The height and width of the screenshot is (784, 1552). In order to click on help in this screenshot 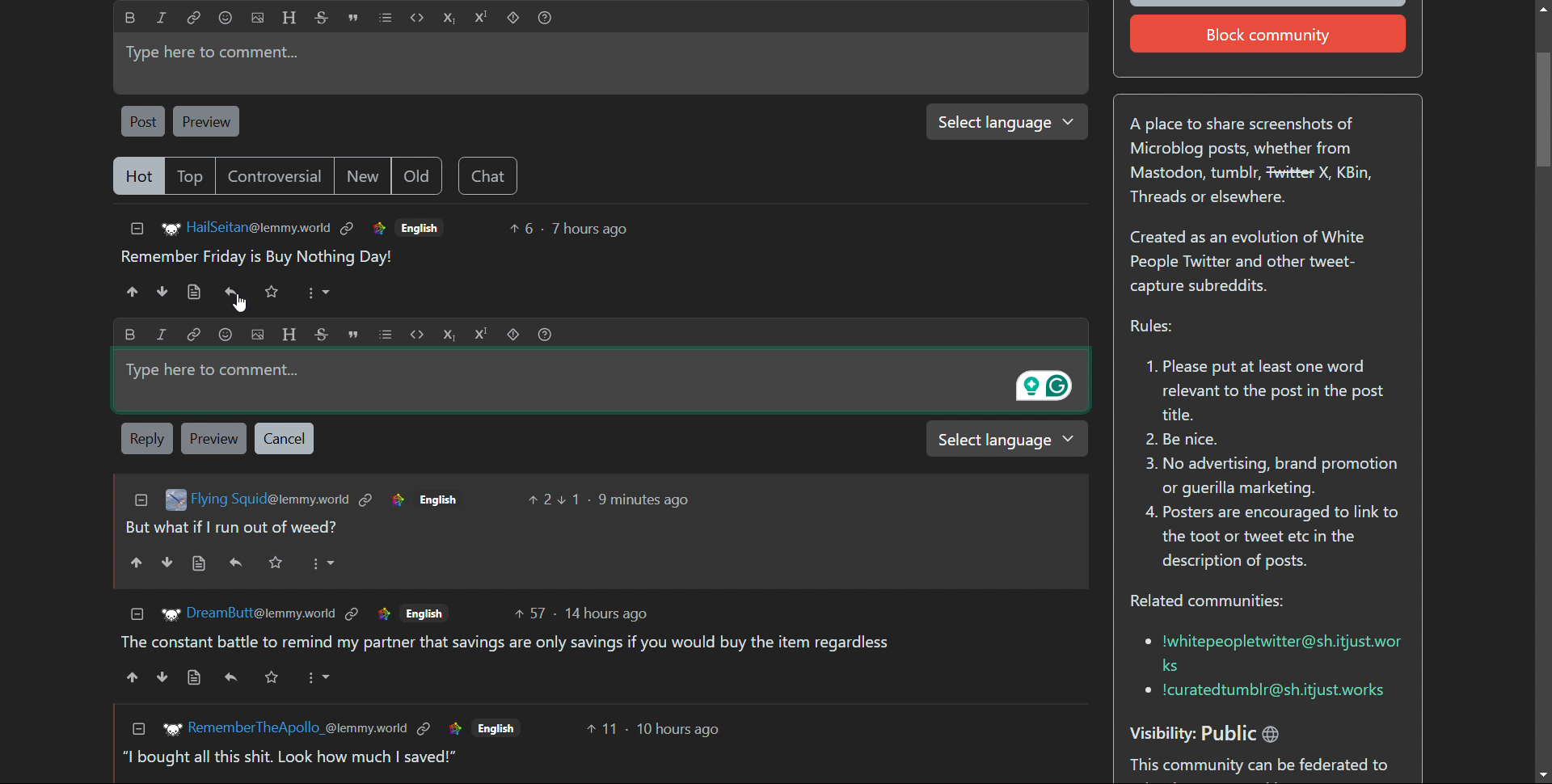, I will do `click(549, 333)`.